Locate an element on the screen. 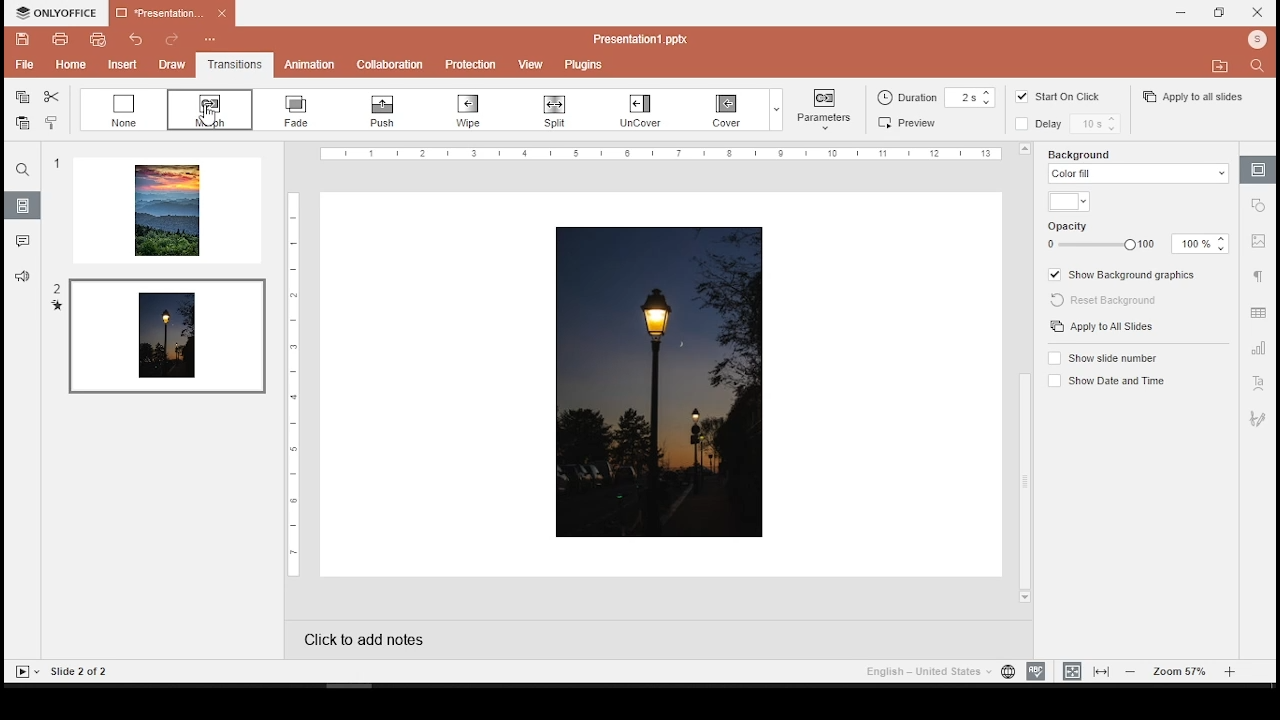 This screenshot has height=720, width=1280. show slide number on/off is located at coordinates (1102, 357).